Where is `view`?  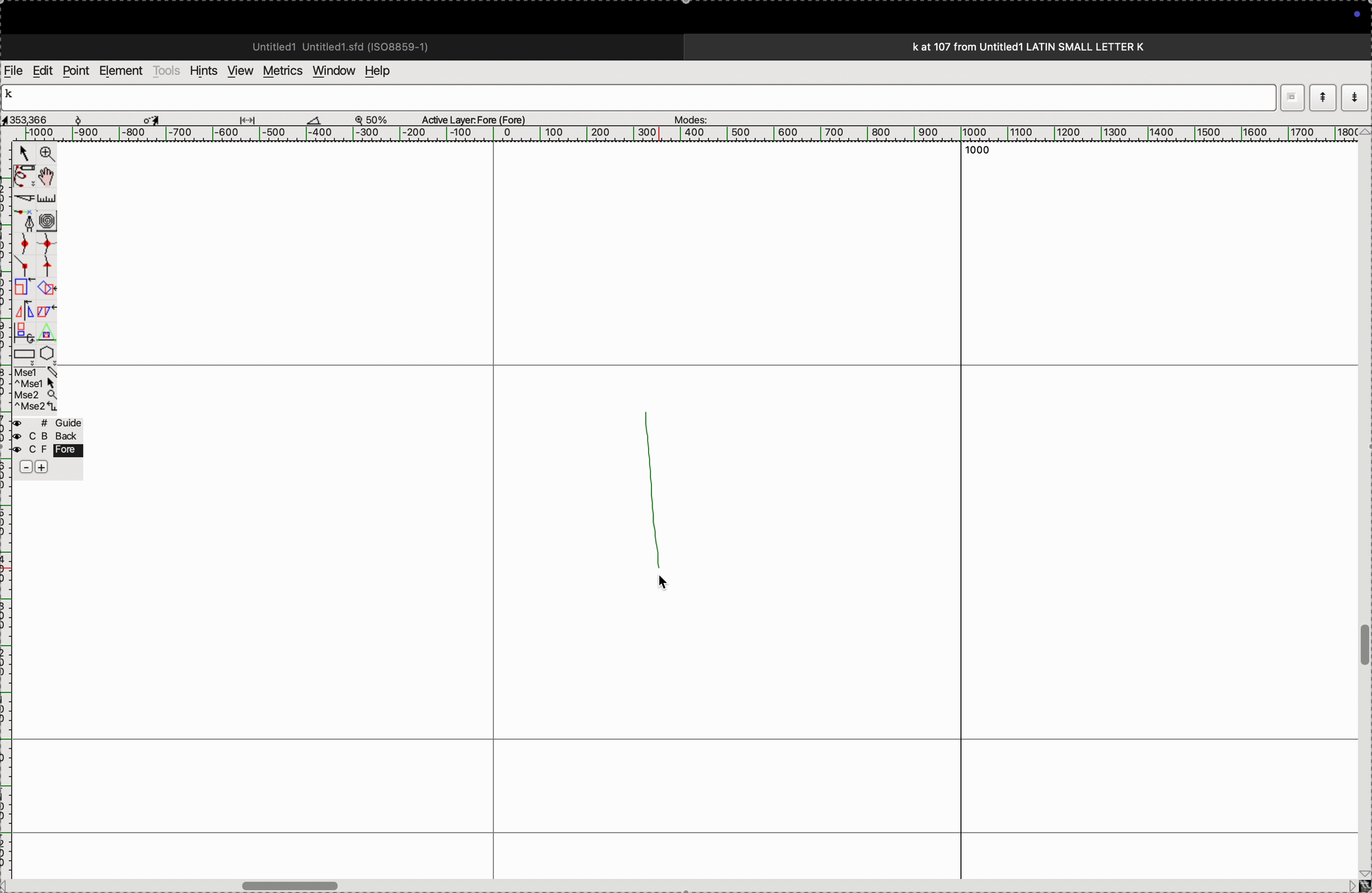 view is located at coordinates (237, 71).